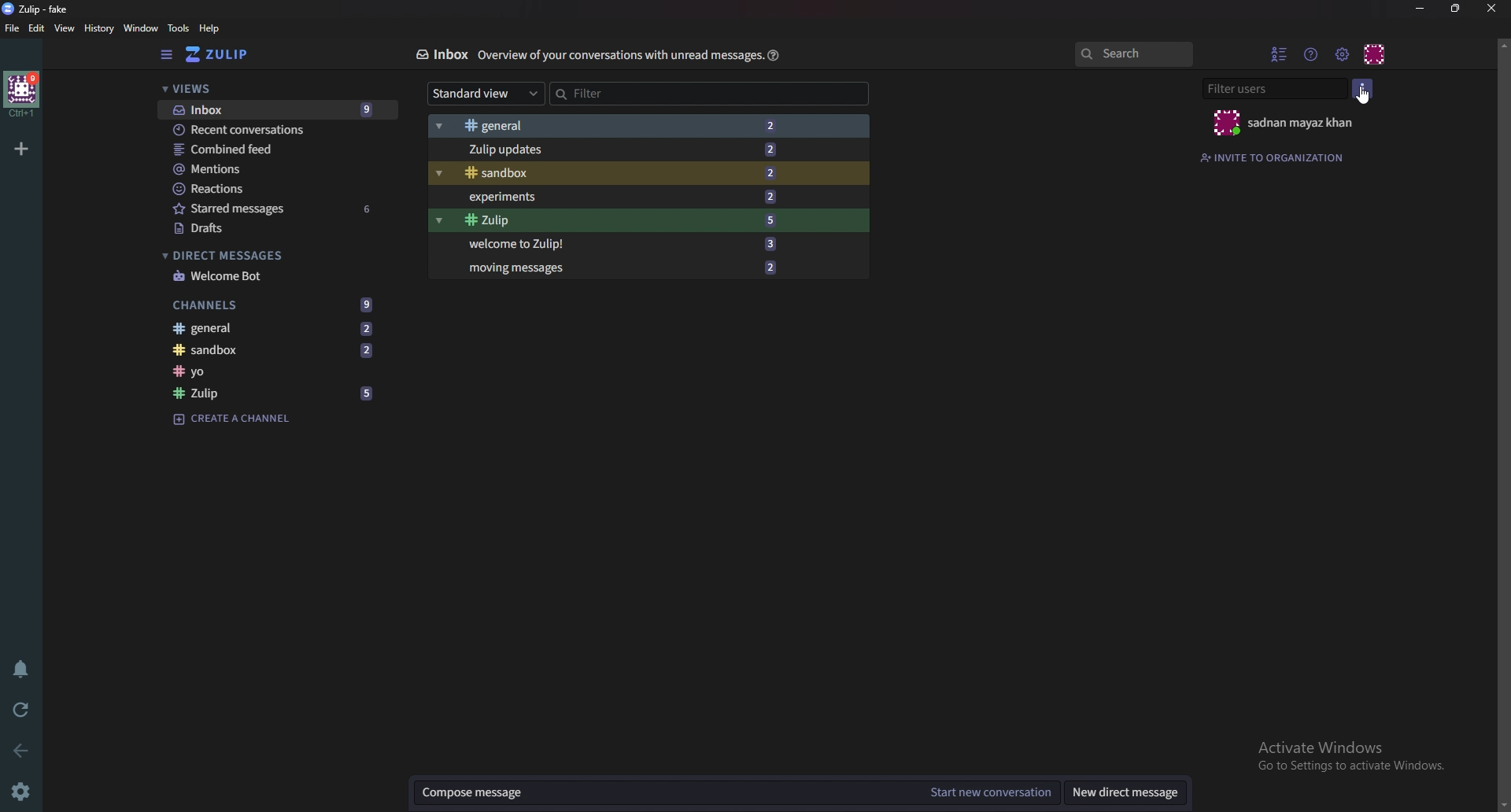 The height and width of the screenshot is (812, 1511). I want to click on Views, so click(268, 90).